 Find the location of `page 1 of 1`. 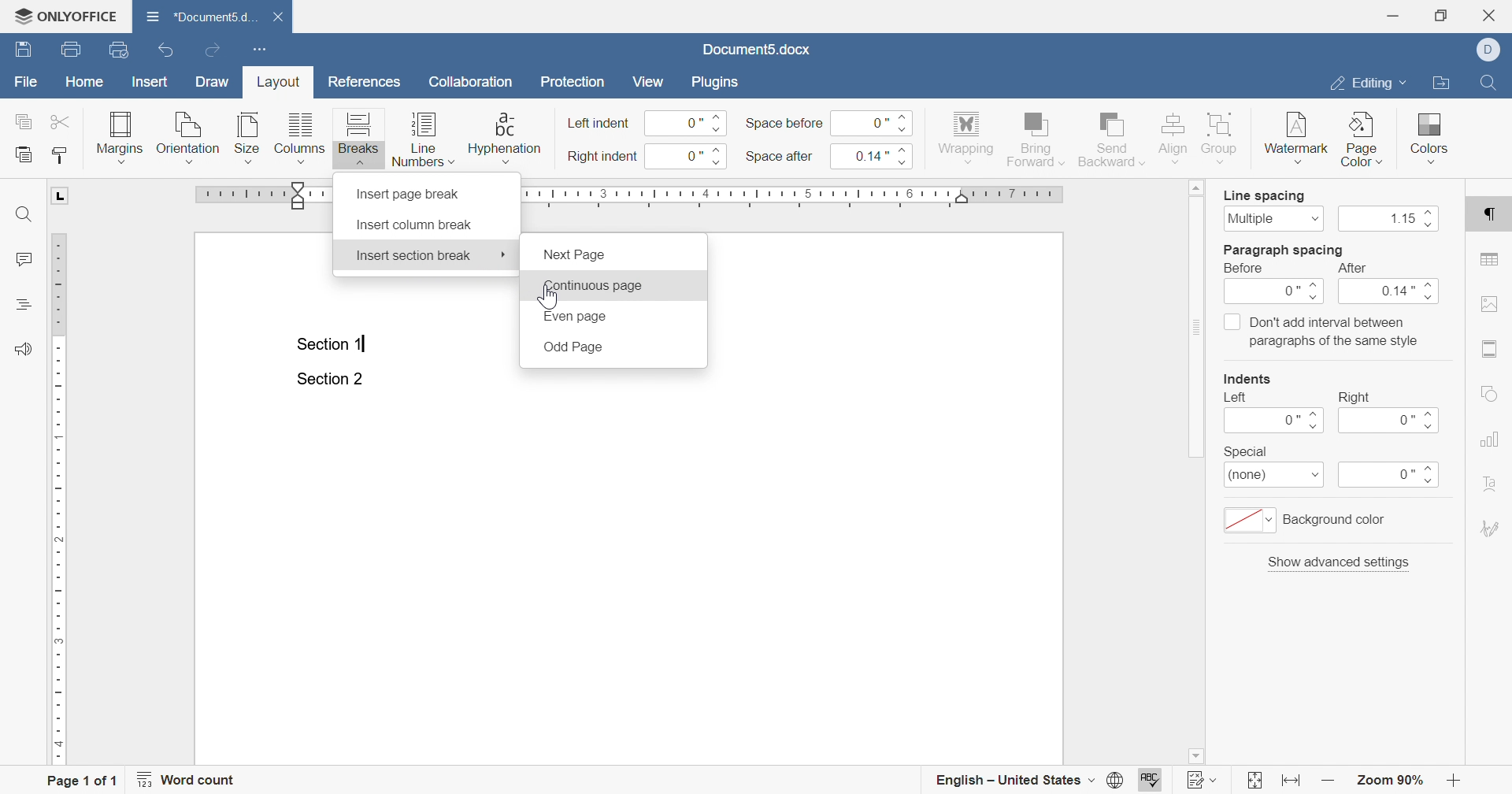

page 1 of 1 is located at coordinates (86, 779).